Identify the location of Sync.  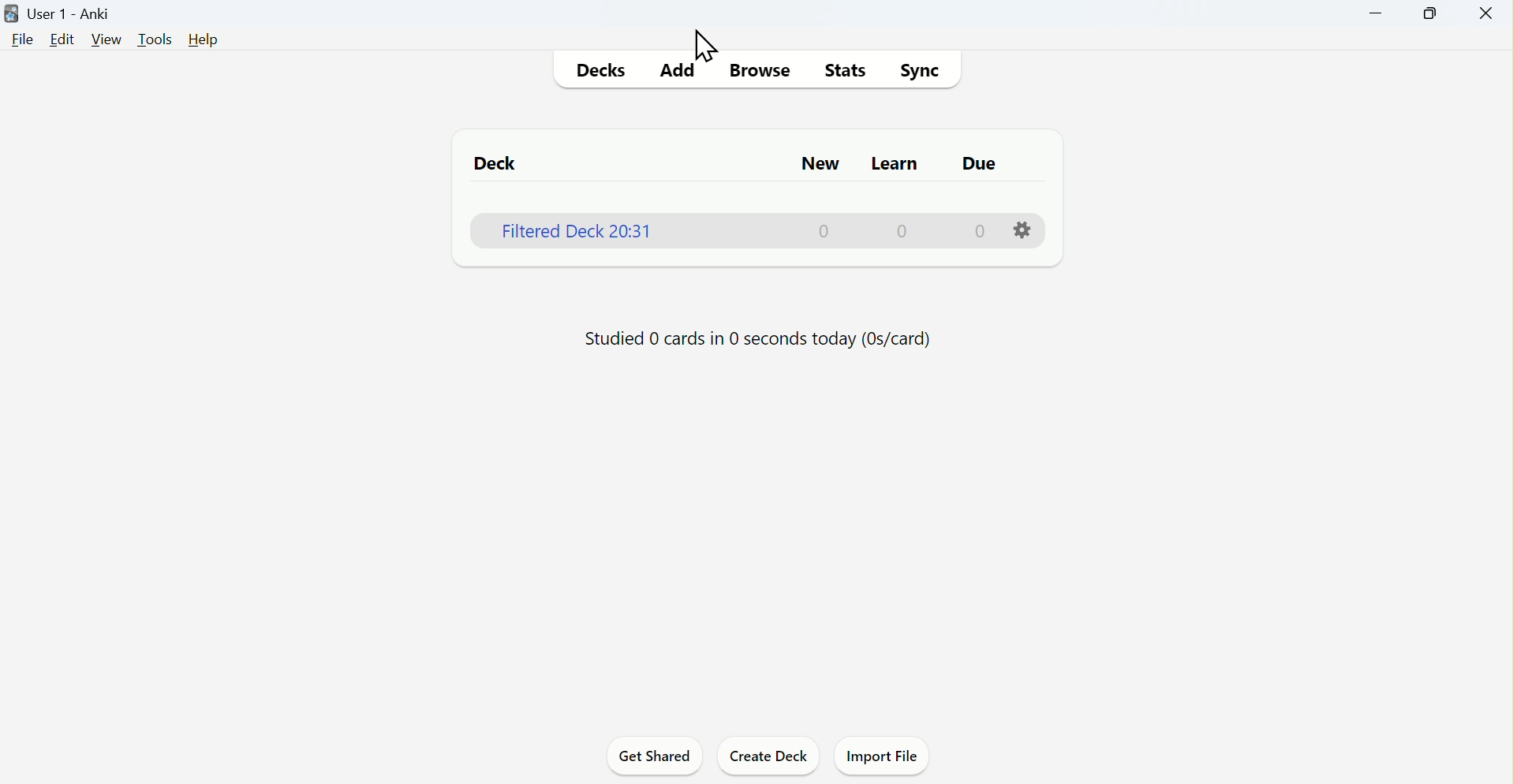
(926, 69).